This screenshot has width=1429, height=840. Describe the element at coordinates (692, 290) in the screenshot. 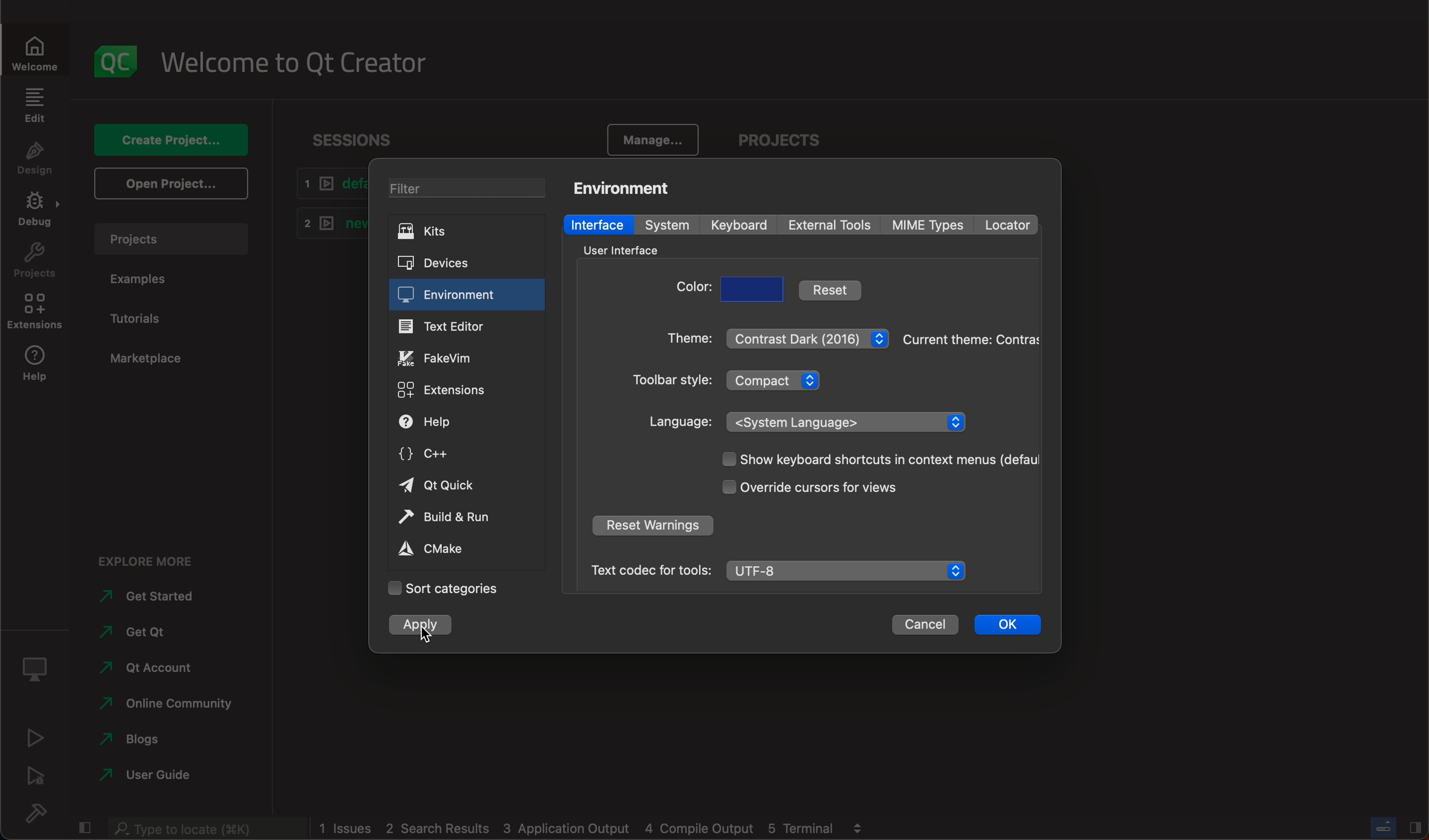

I see `color` at that location.